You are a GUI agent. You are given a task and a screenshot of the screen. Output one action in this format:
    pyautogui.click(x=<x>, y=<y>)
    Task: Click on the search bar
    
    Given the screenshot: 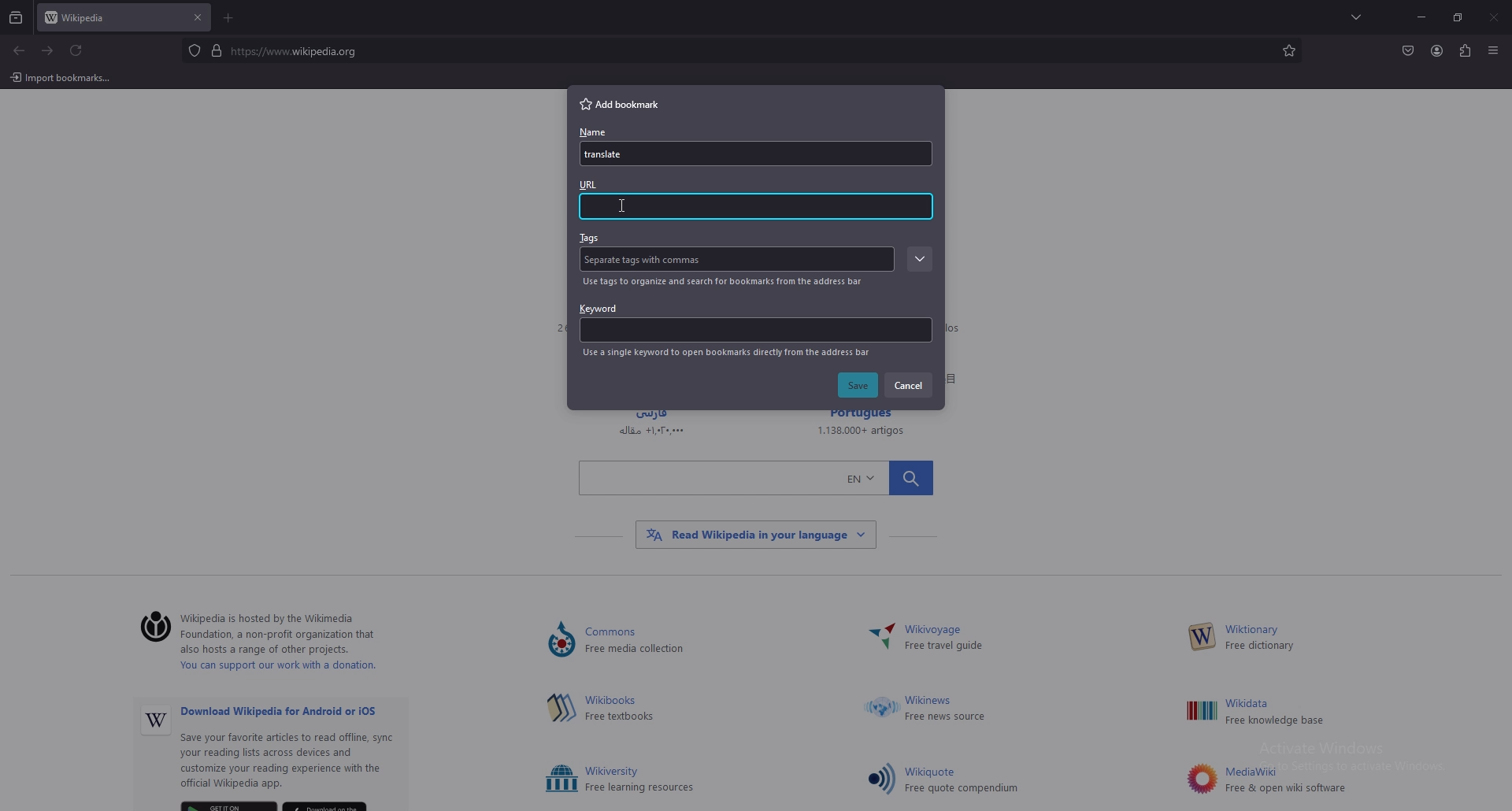 What is the action you would take?
    pyautogui.click(x=733, y=50)
    